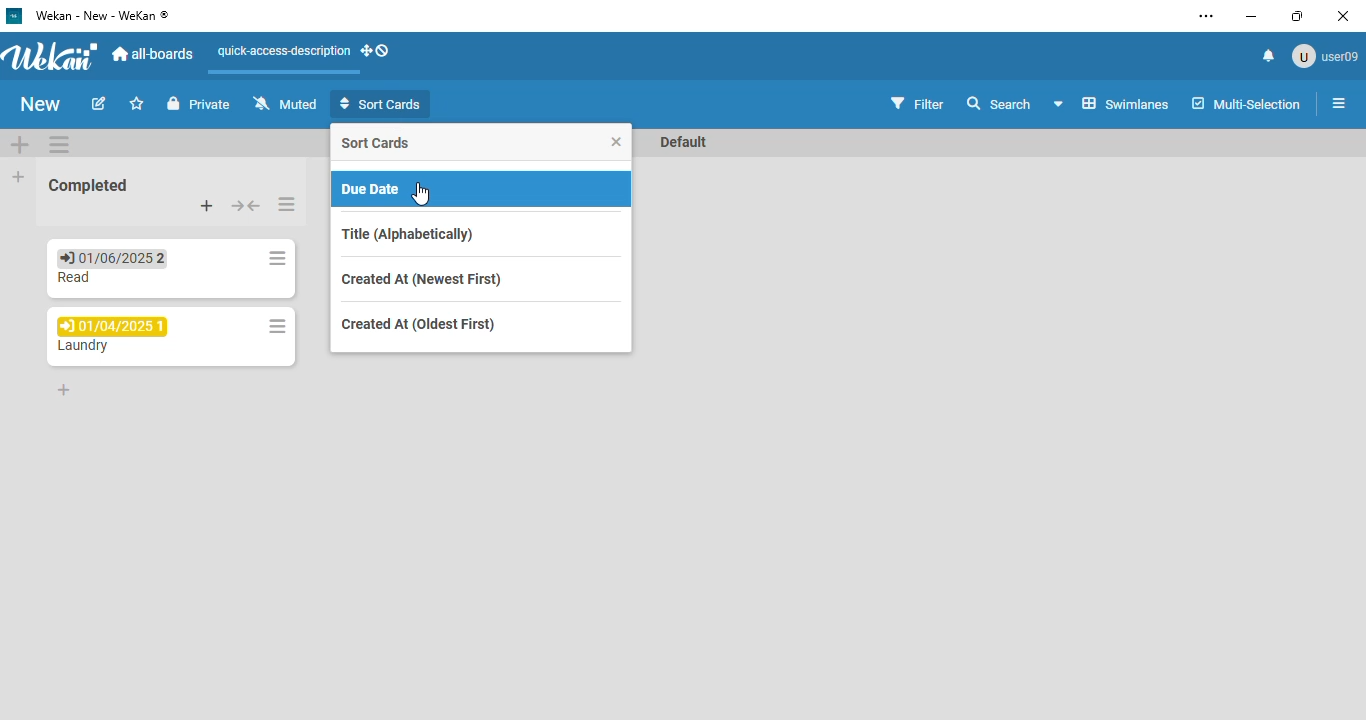 Image resolution: width=1366 pixels, height=720 pixels. What do you see at coordinates (19, 176) in the screenshot?
I see `add list` at bounding box center [19, 176].